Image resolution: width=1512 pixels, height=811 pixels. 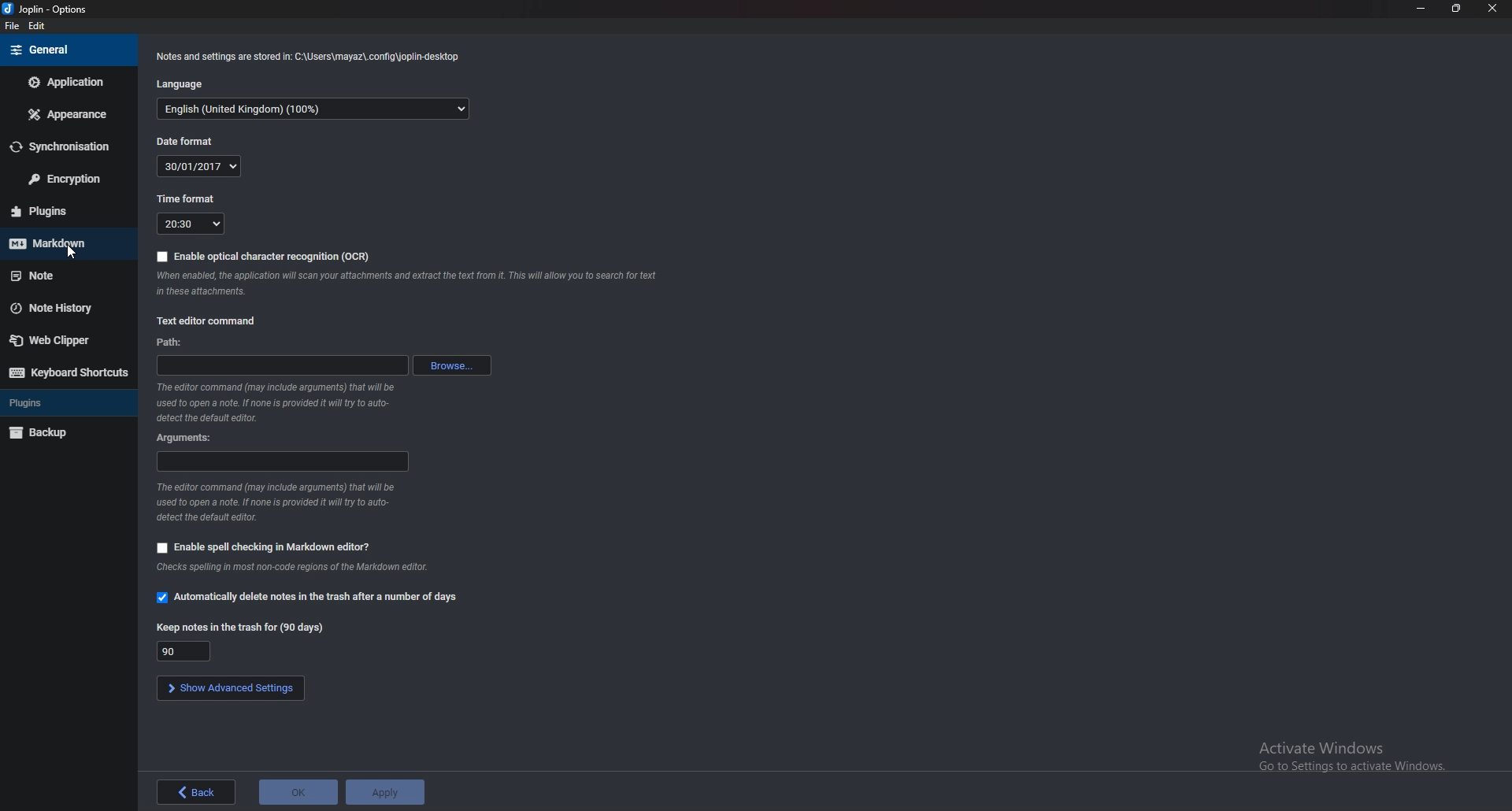 What do you see at coordinates (197, 792) in the screenshot?
I see `back` at bounding box center [197, 792].